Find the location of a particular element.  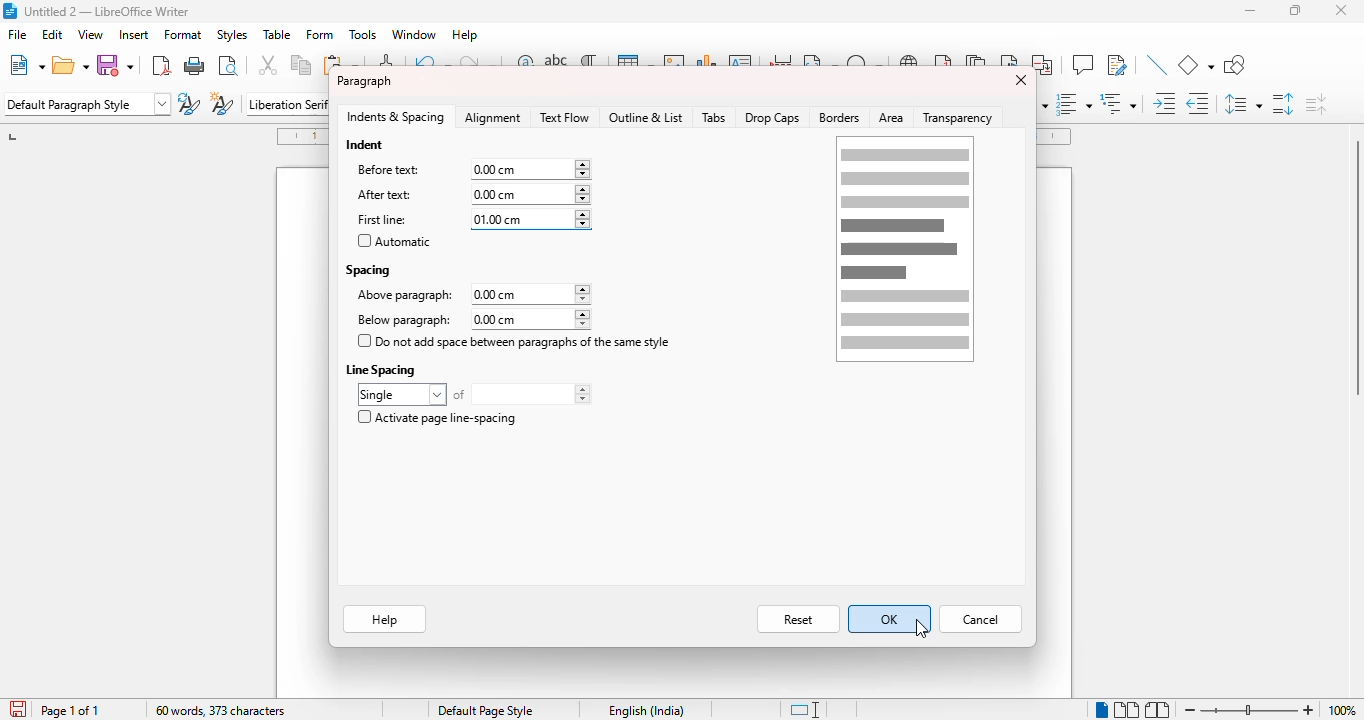

update selected style is located at coordinates (189, 103).